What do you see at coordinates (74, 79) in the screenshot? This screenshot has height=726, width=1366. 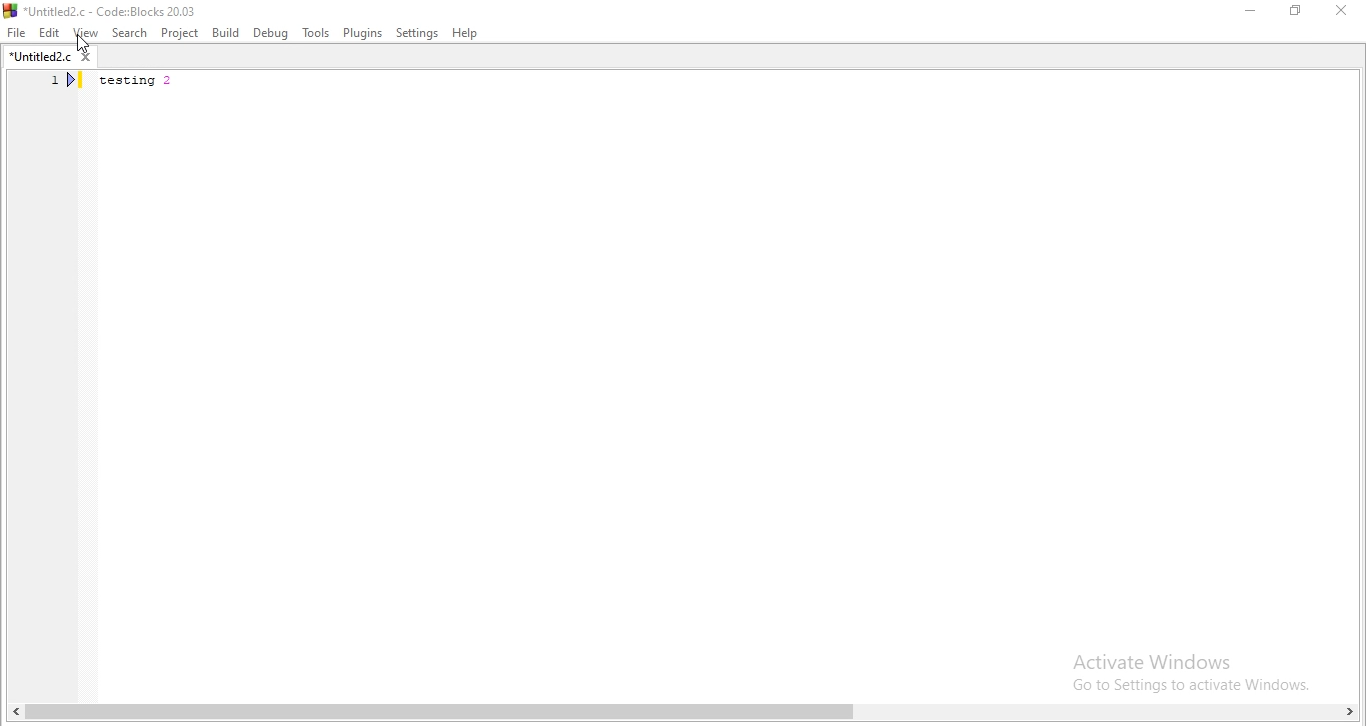 I see `bookmark icon` at bounding box center [74, 79].